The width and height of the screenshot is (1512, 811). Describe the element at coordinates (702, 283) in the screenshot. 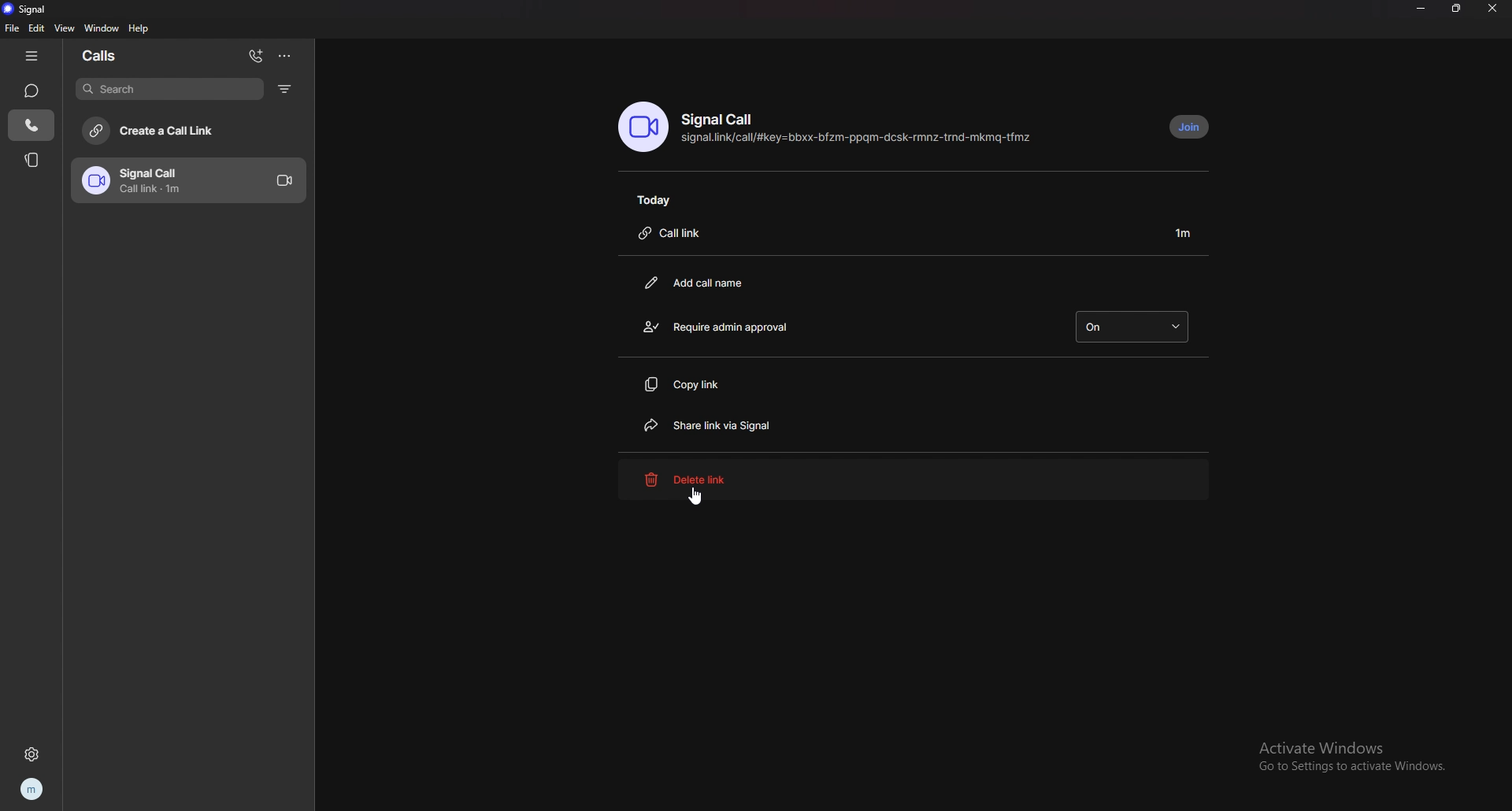

I see `add call name` at that location.